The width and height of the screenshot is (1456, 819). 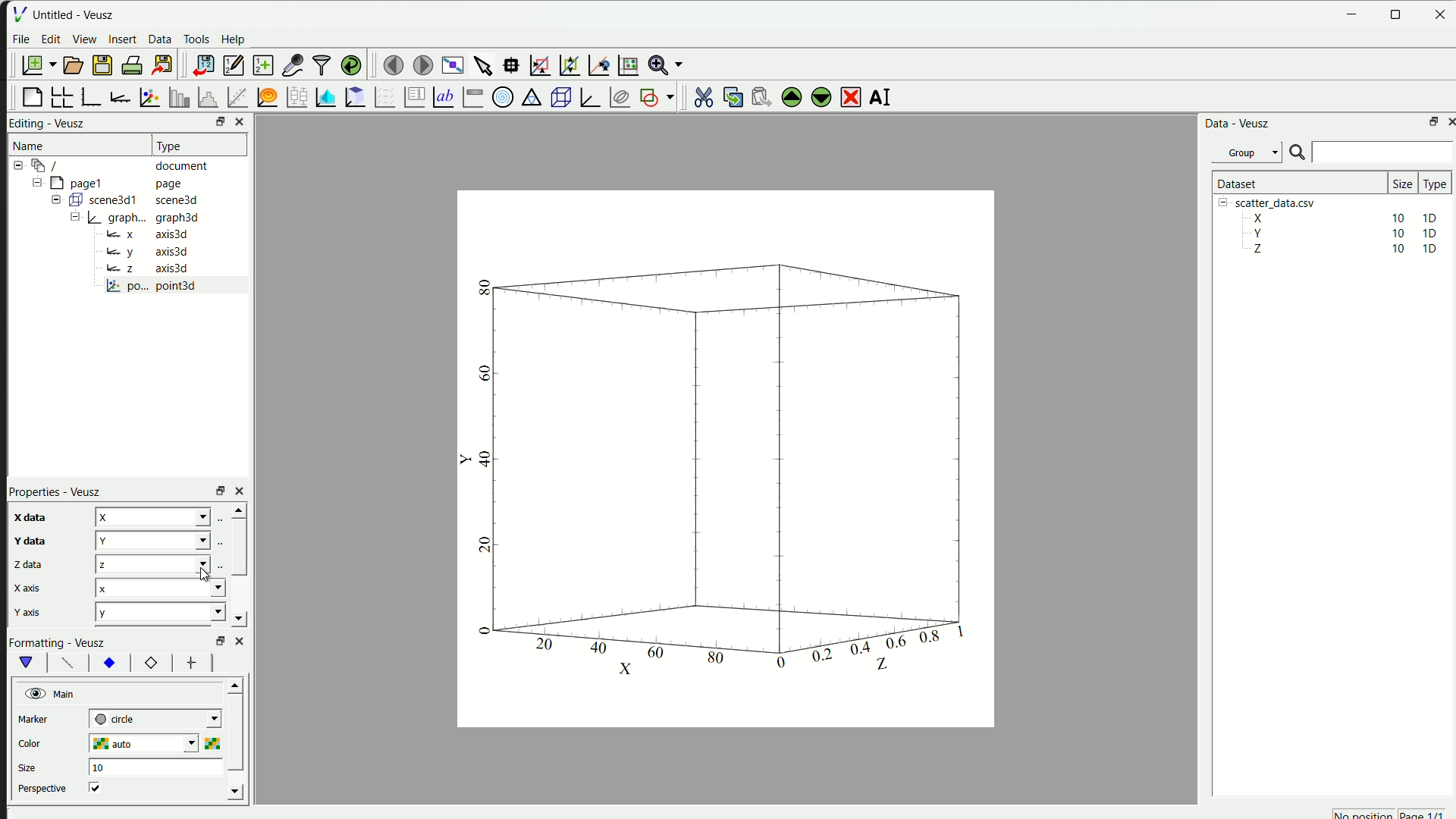 I want to click on fit function to data, so click(x=236, y=96).